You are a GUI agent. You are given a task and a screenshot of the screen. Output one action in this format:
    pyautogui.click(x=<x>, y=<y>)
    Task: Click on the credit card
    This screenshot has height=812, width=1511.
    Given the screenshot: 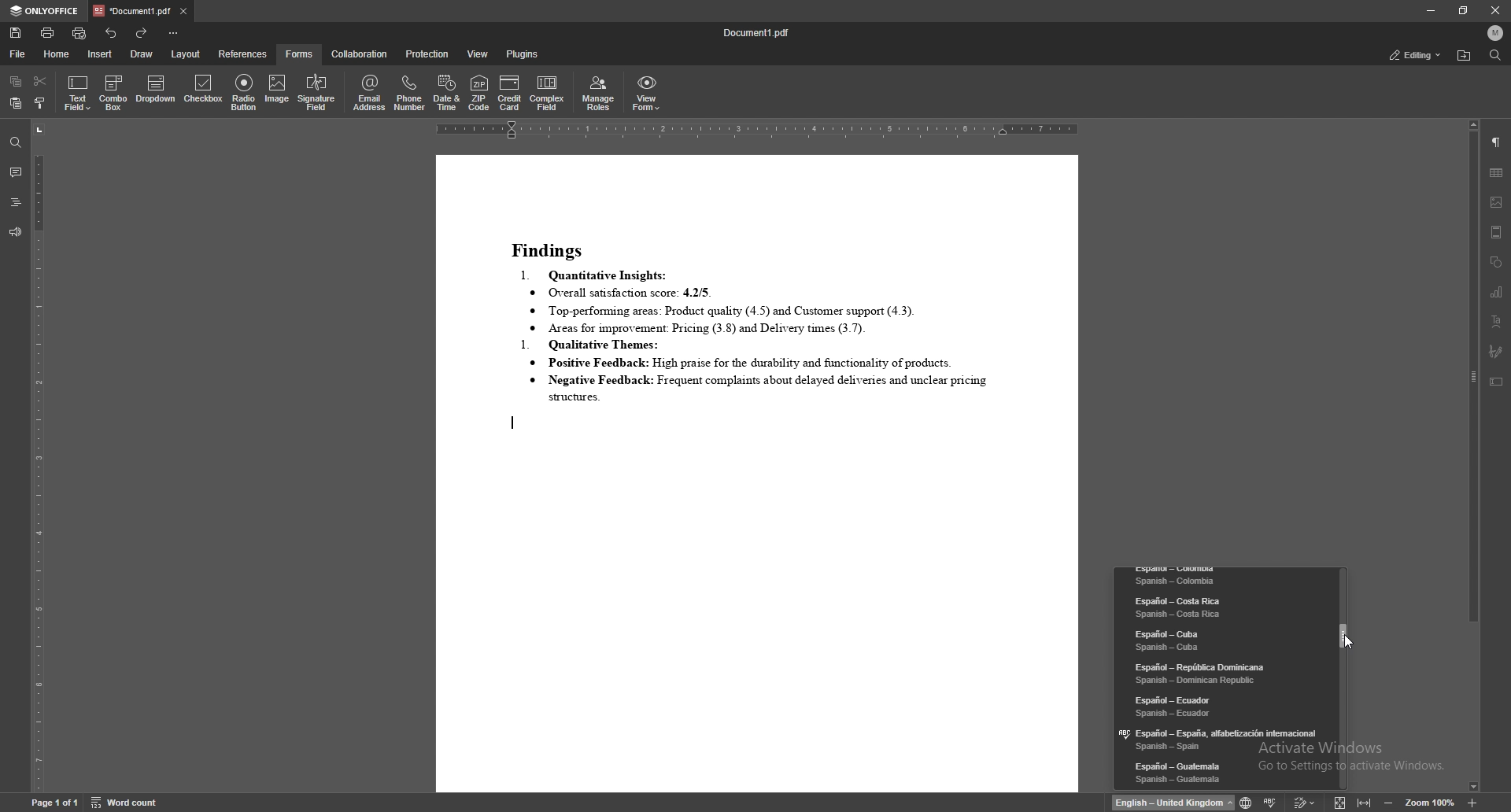 What is the action you would take?
    pyautogui.click(x=511, y=92)
    